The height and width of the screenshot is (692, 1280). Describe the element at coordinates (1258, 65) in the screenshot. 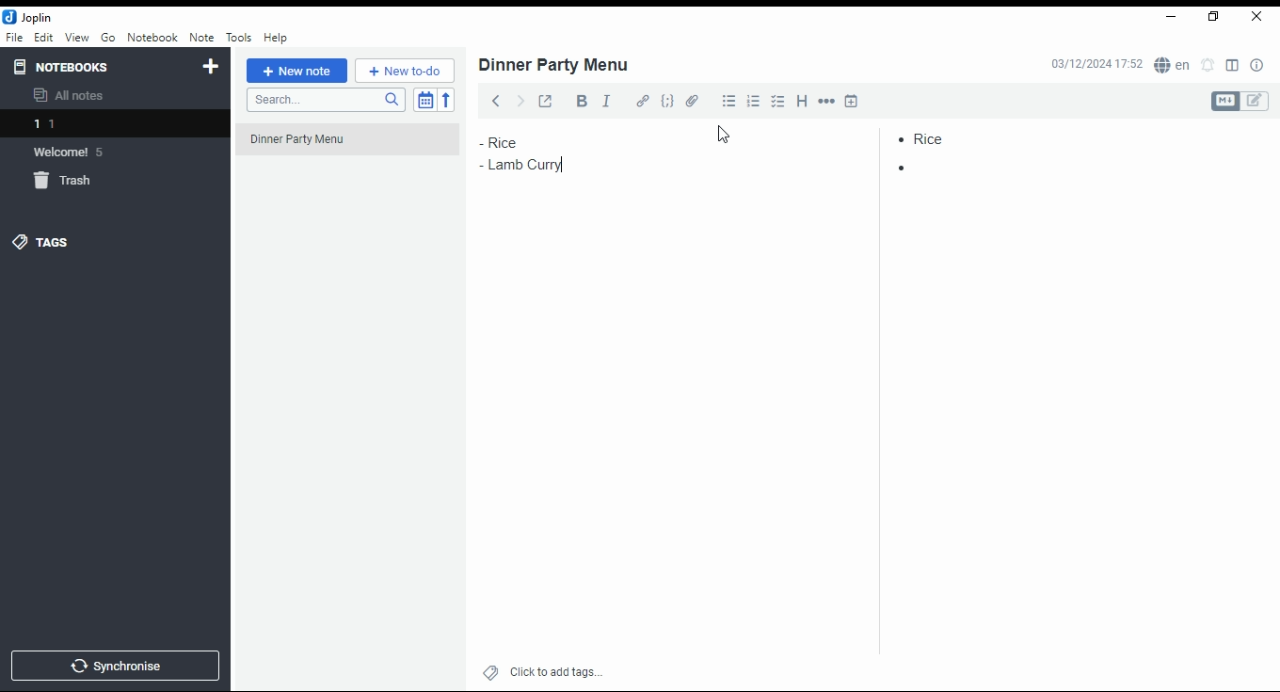

I see `notes properties` at that location.